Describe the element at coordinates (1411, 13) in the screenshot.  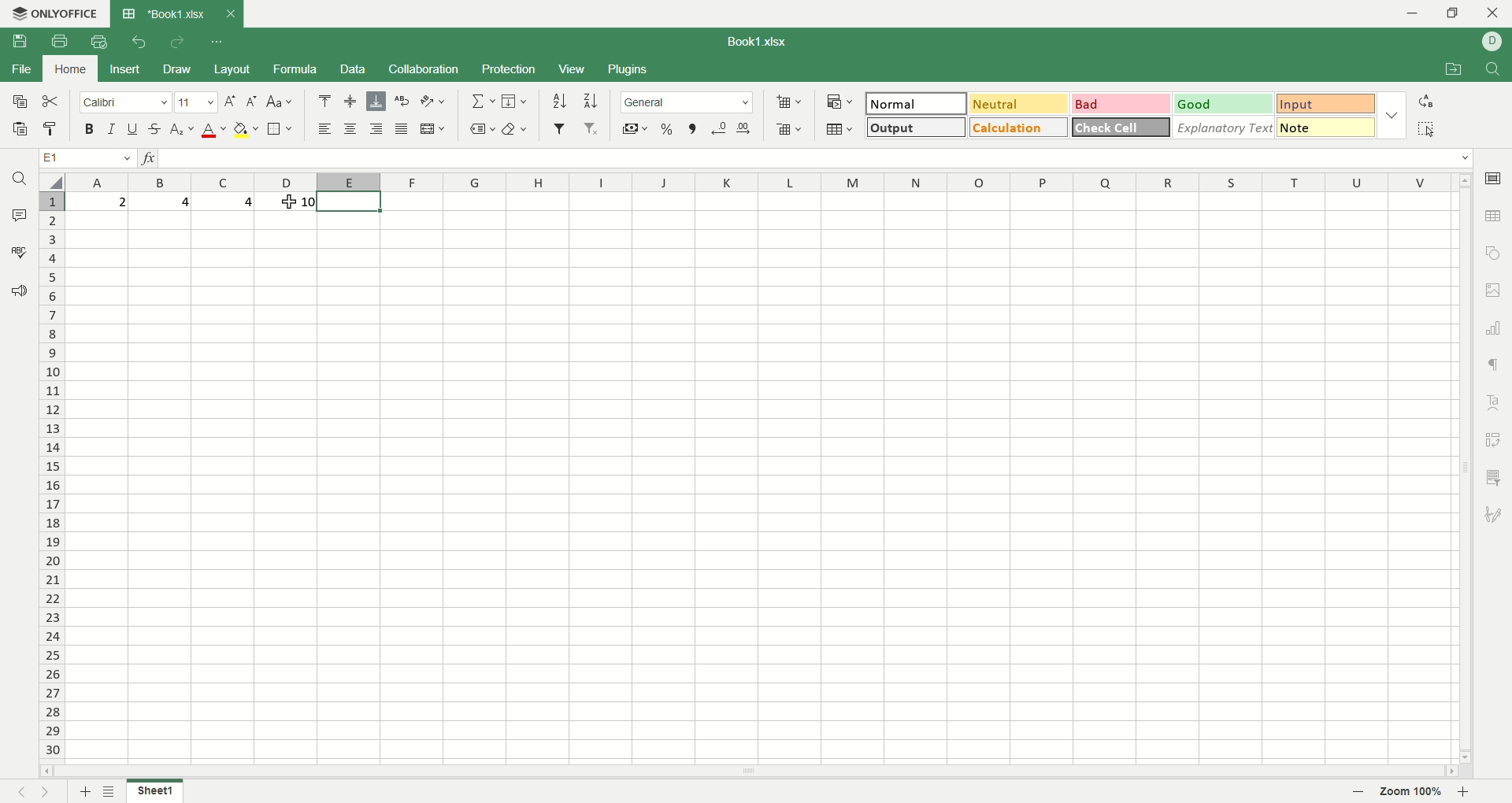
I see `minimize` at that location.